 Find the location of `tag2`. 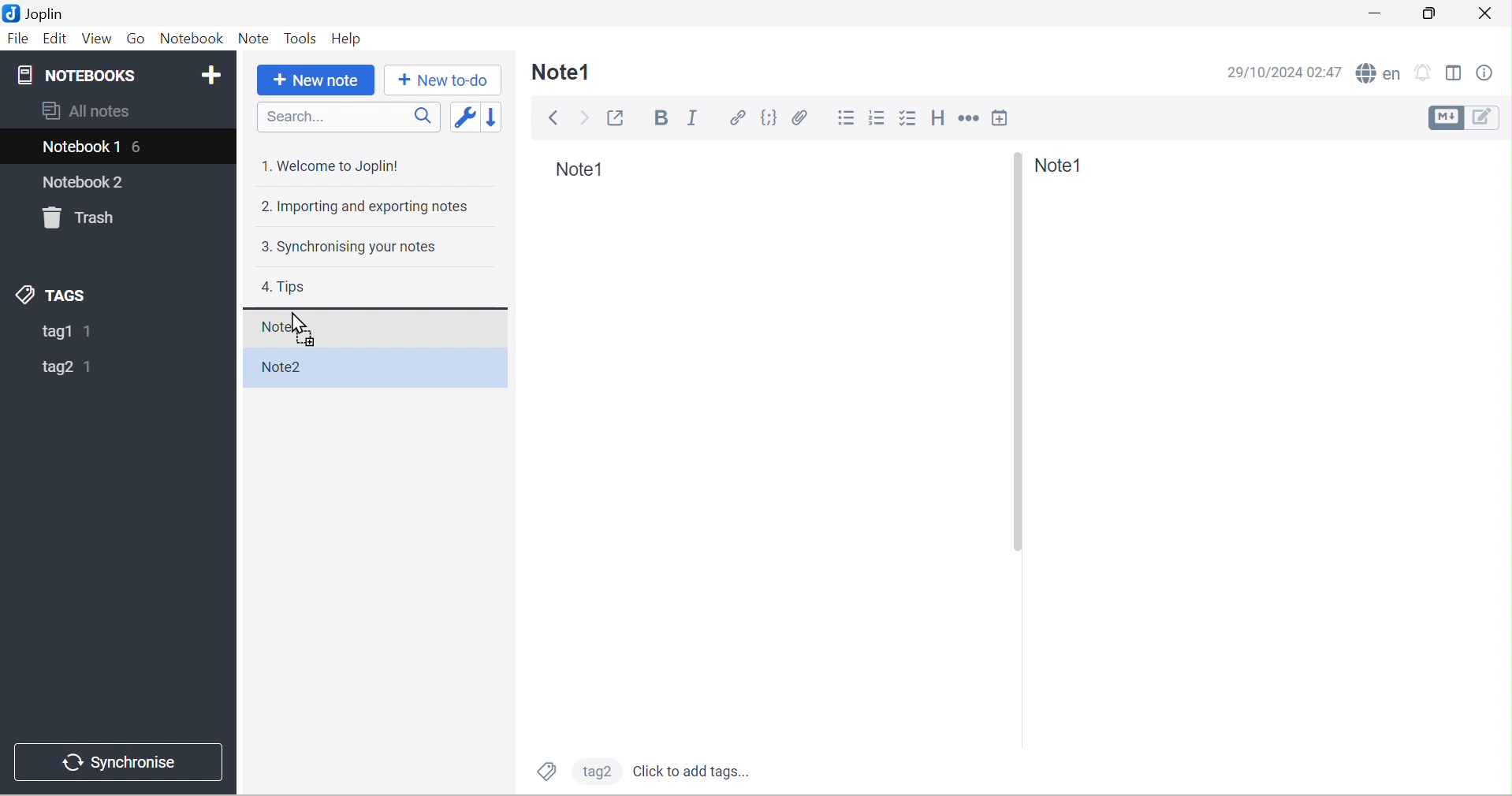

tag2 is located at coordinates (56, 370).